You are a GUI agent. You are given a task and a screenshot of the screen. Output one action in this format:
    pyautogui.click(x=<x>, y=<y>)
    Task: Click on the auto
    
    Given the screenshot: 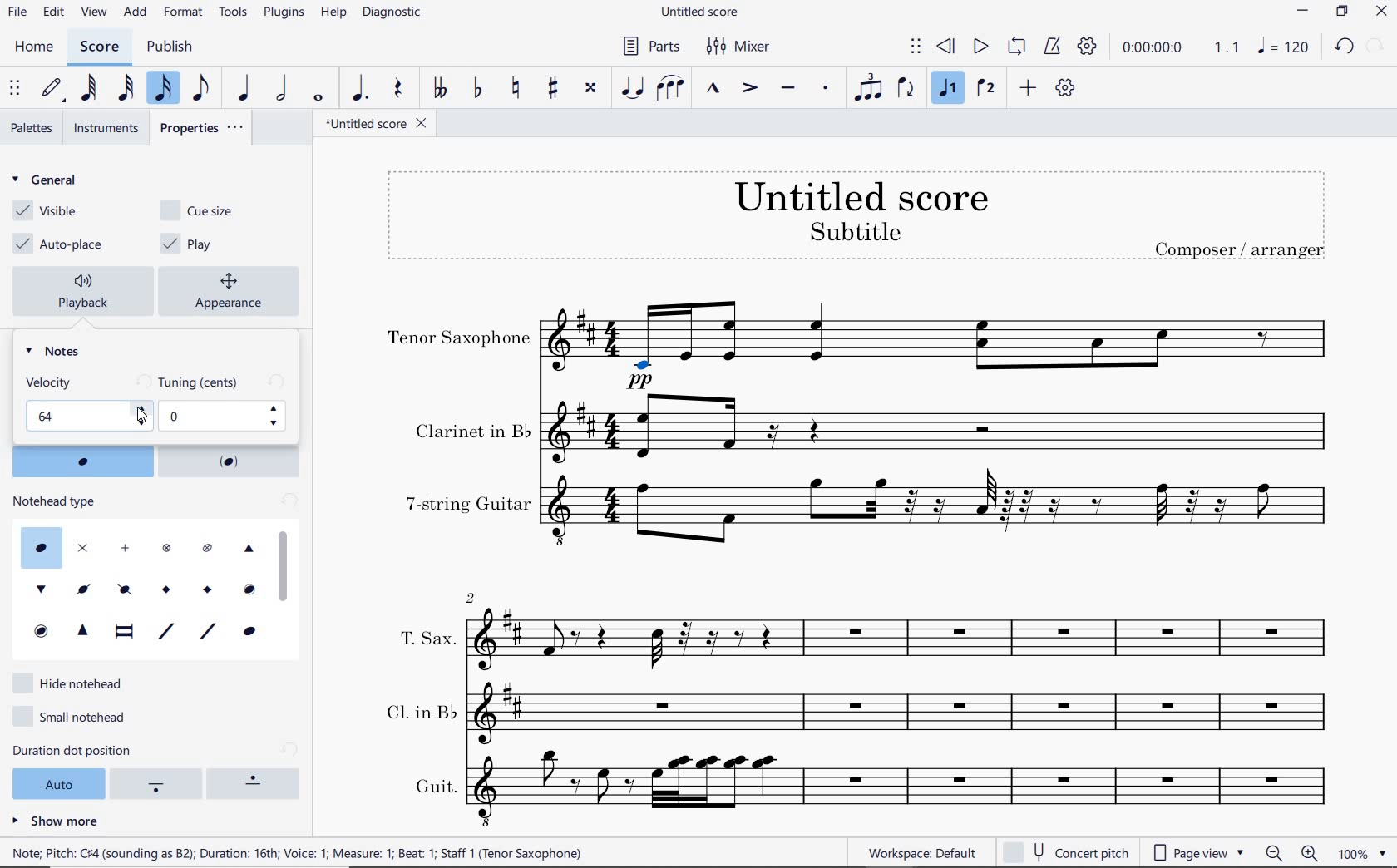 What is the action you would take?
    pyautogui.click(x=56, y=782)
    